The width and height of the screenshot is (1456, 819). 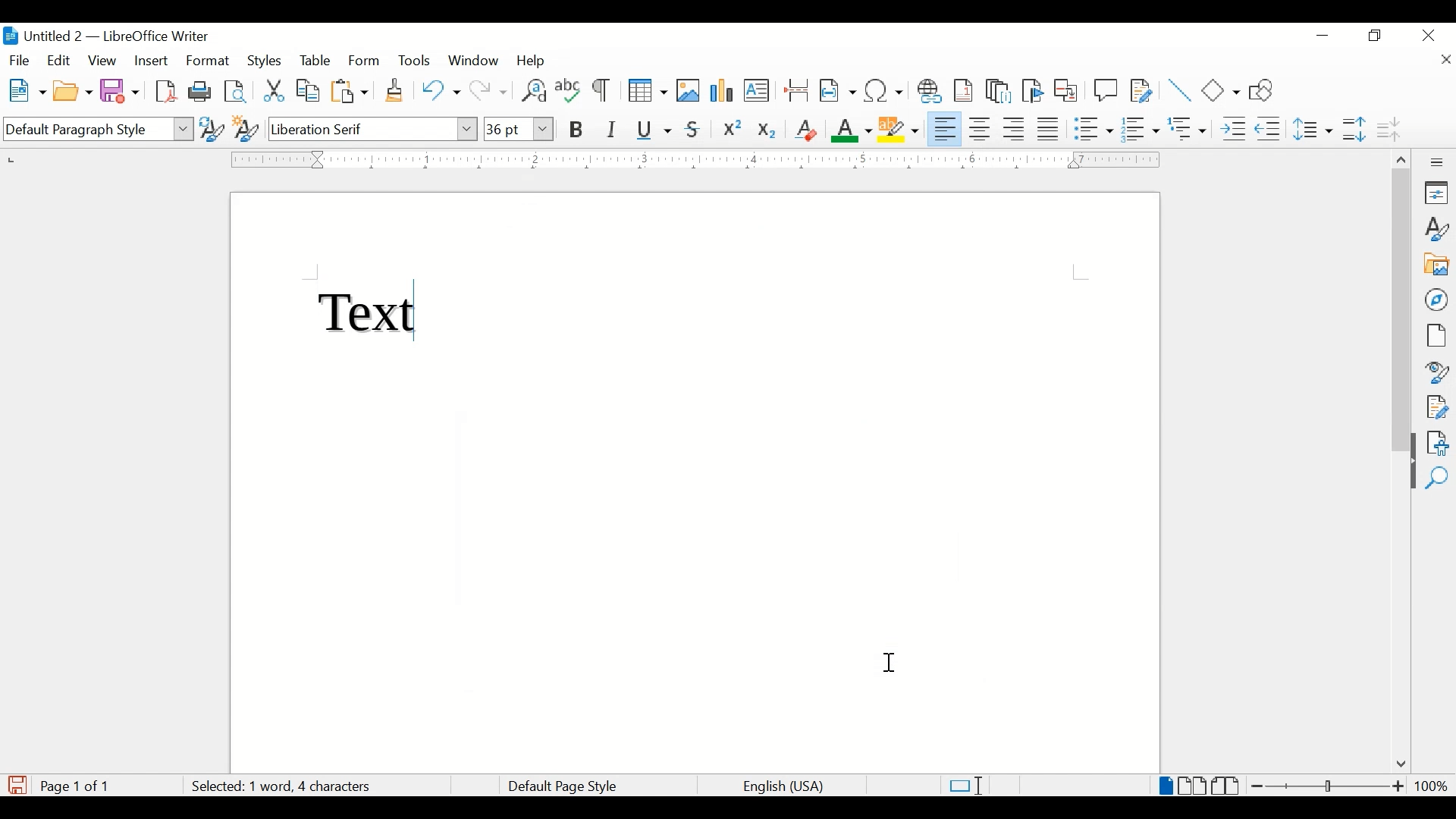 What do you see at coordinates (28, 90) in the screenshot?
I see `new` at bounding box center [28, 90].